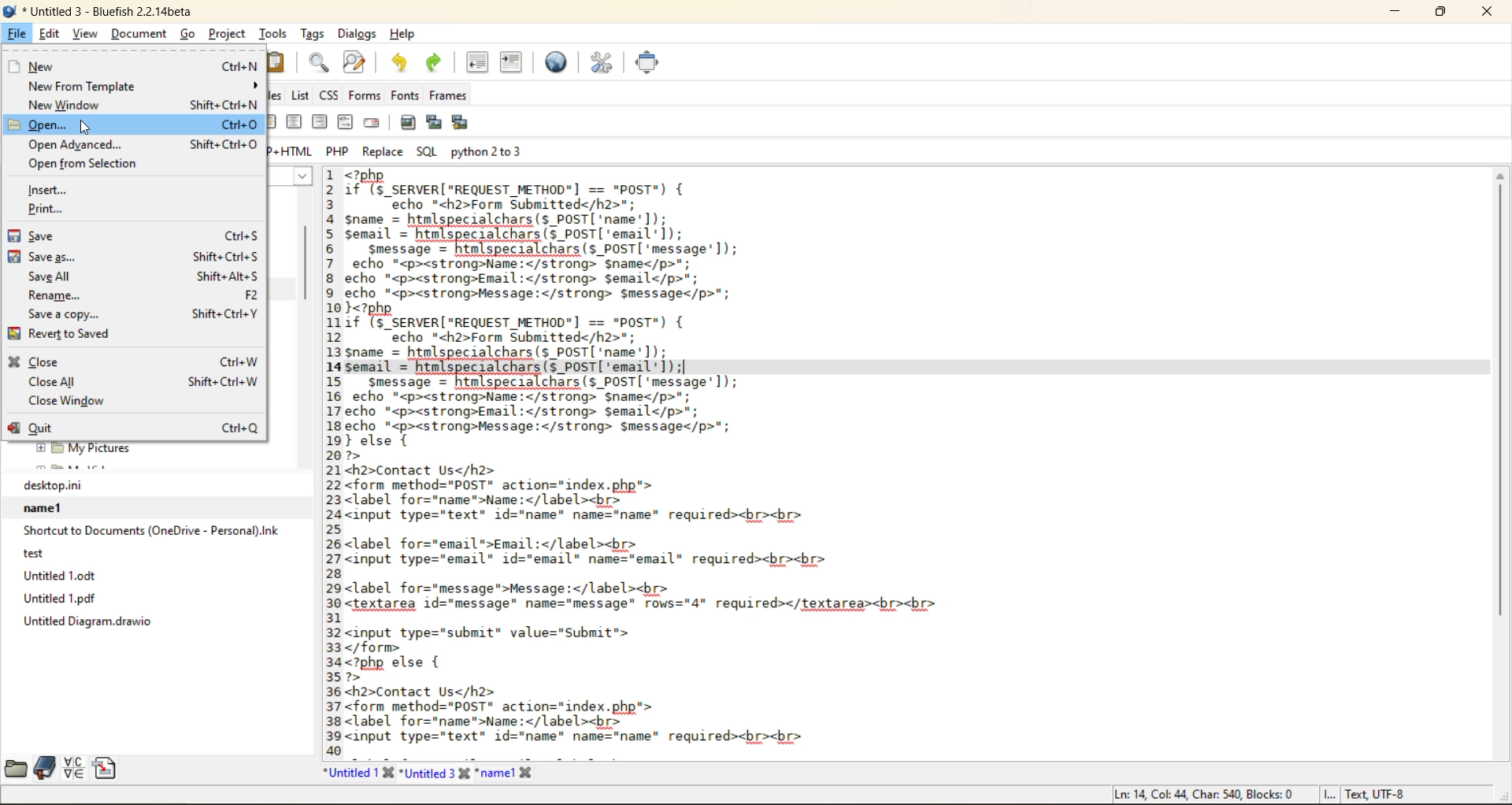 The height and width of the screenshot is (805, 1512). Describe the element at coordinates (345, 122) in the screenshot. I see `html comment` at that location.